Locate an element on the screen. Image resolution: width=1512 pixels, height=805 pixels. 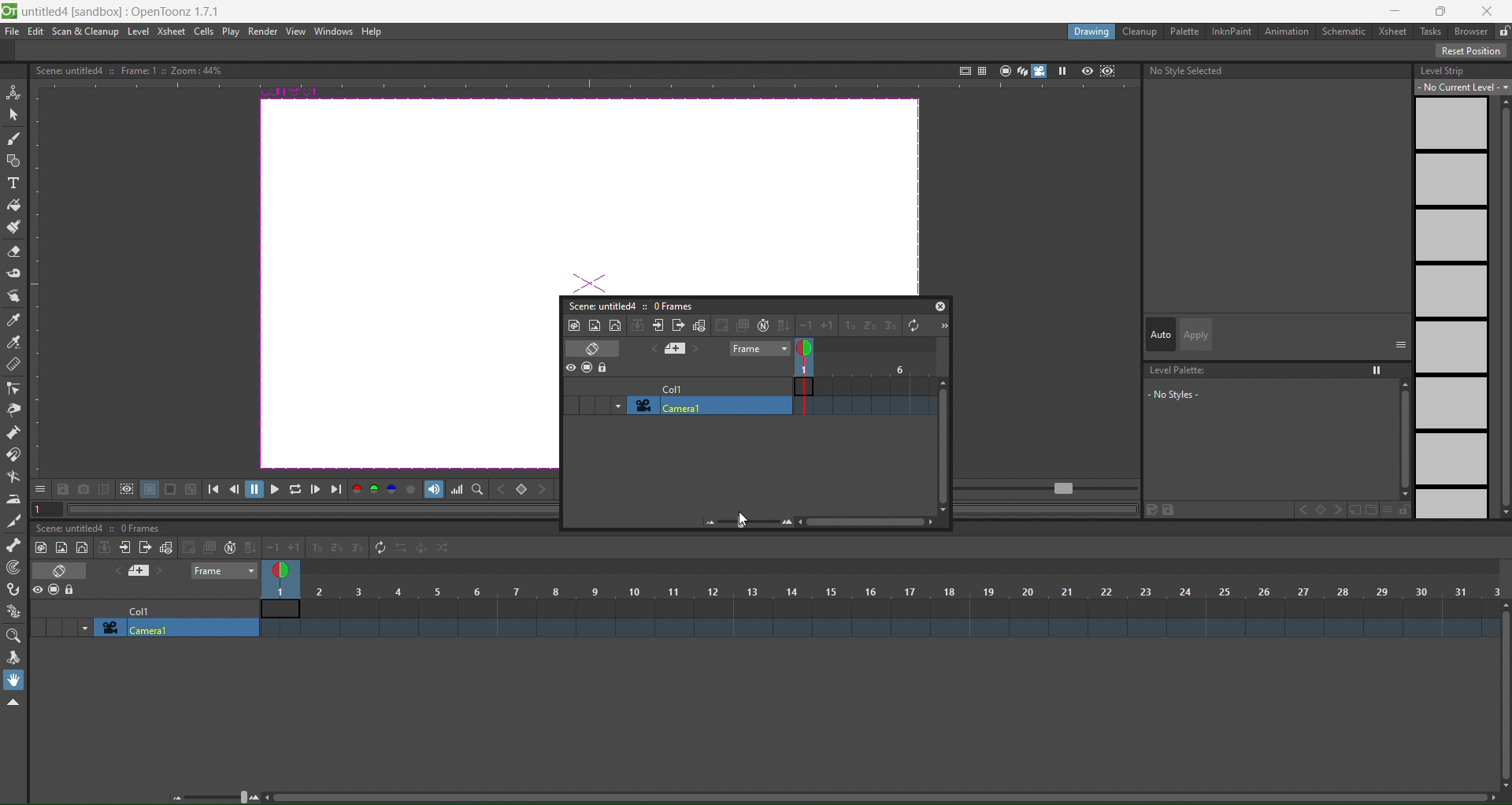
help is located at coordinates (372, 32).